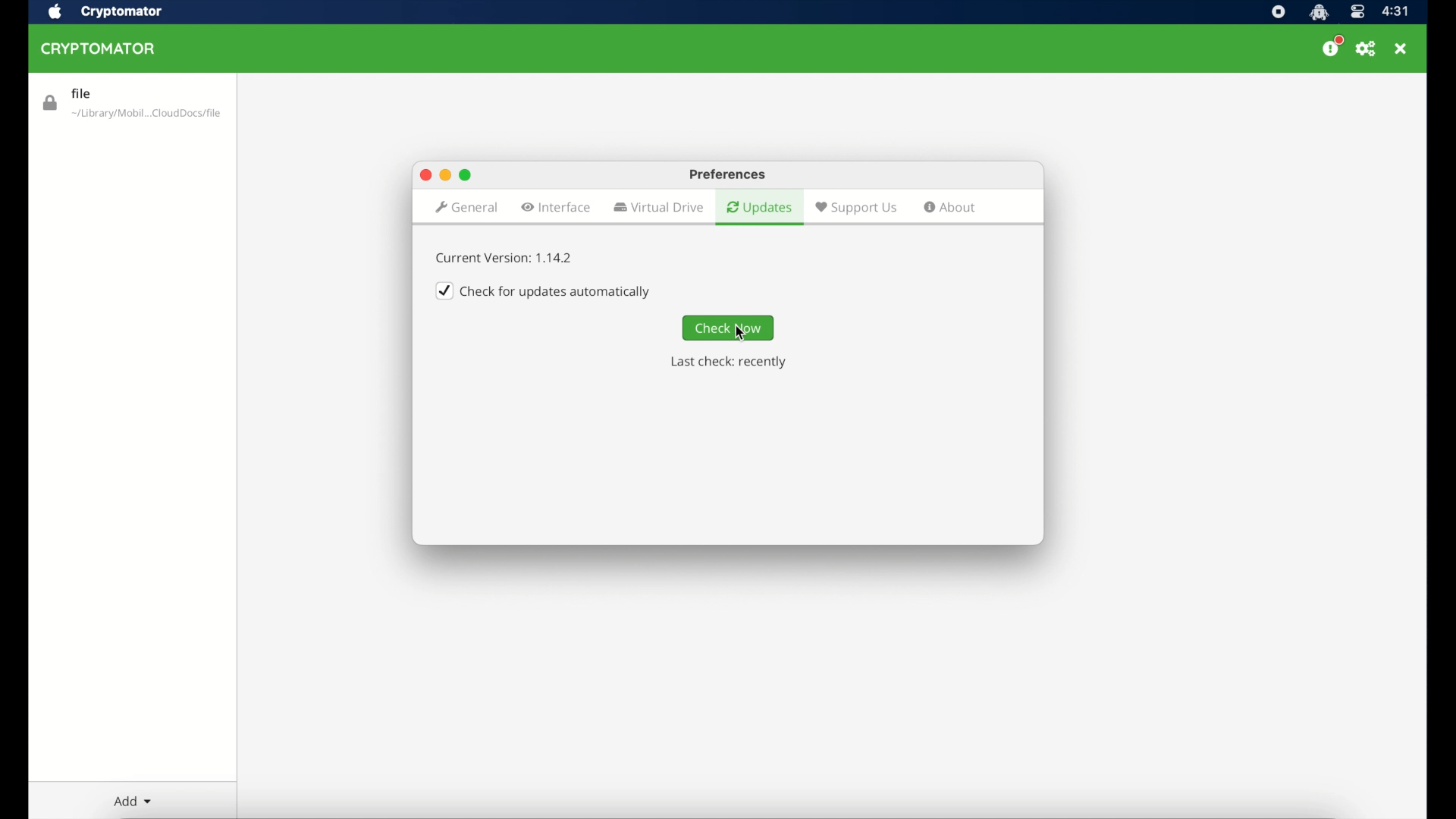 Image resolution: width=1456 pixels, height=819 pixels. Describe the element at coordinates (856, 207) in the screenshot. I see `suport us` at that location.